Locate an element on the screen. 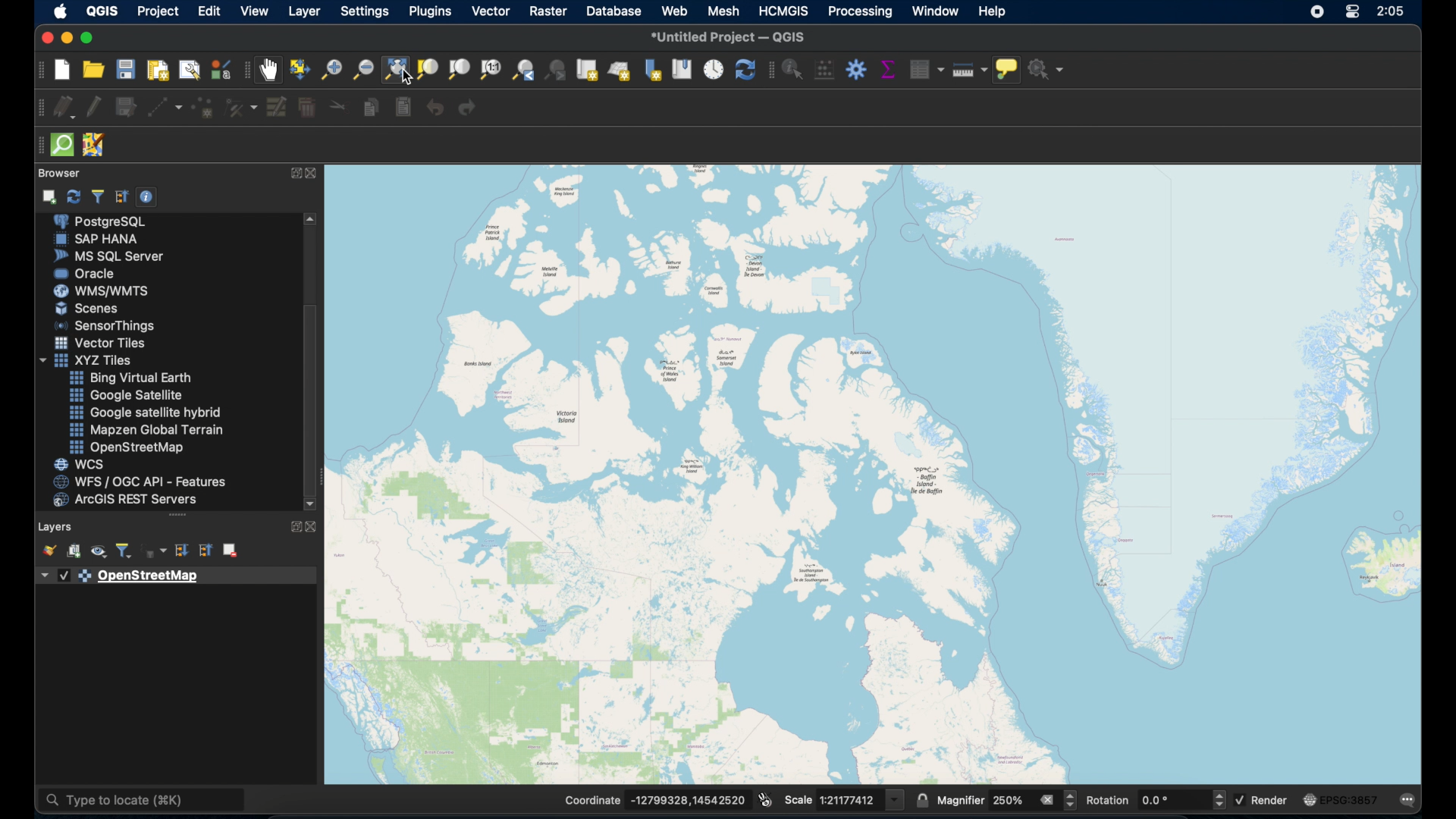 This screenshot has width=1456, height=819. window is located at coordinates (937, 12).